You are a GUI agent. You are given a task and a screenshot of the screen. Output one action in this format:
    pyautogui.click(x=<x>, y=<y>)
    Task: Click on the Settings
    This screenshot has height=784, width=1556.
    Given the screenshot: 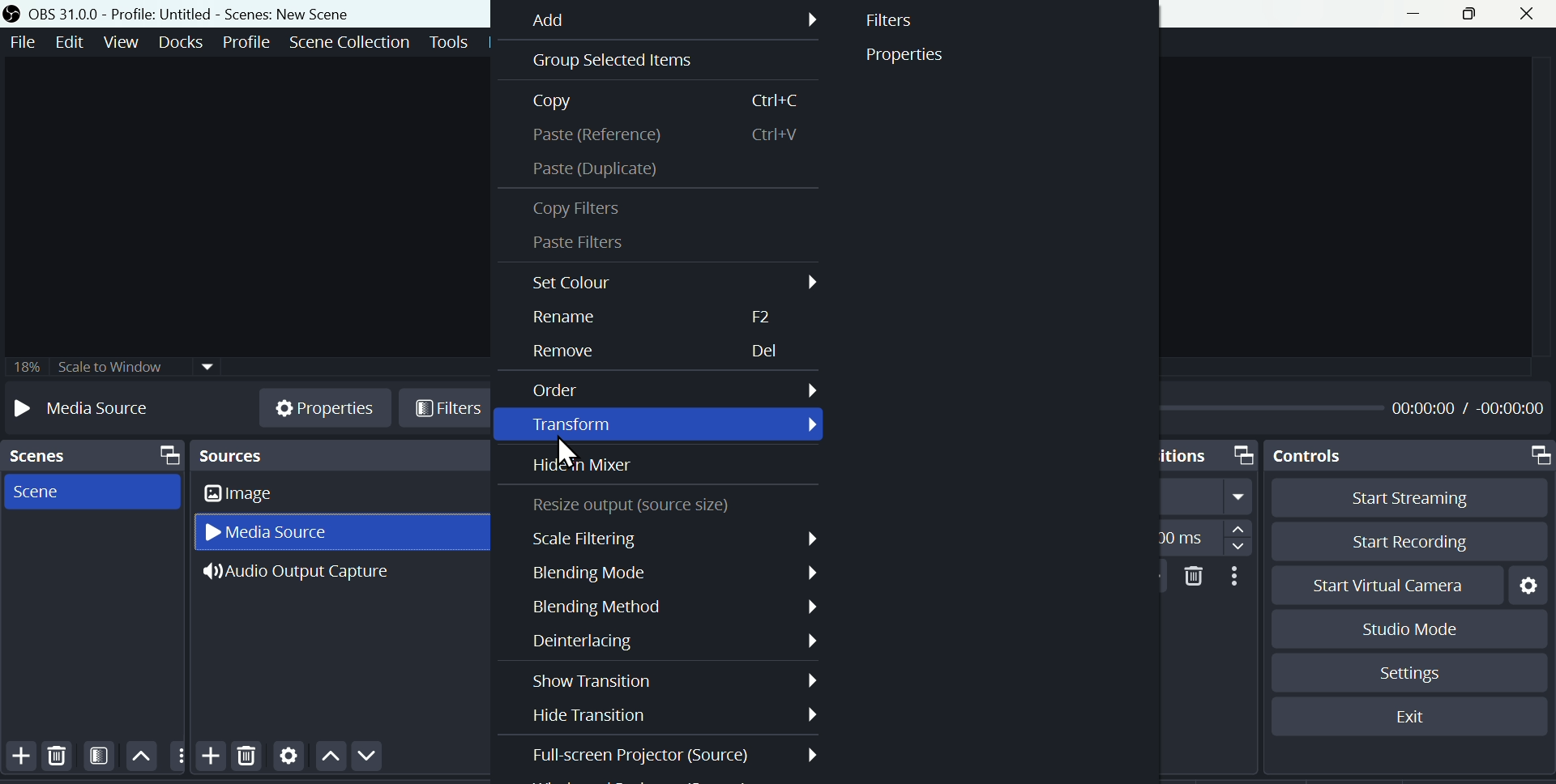 What is the action you would take?
    pyautogui.click(x=288, y=760)
    